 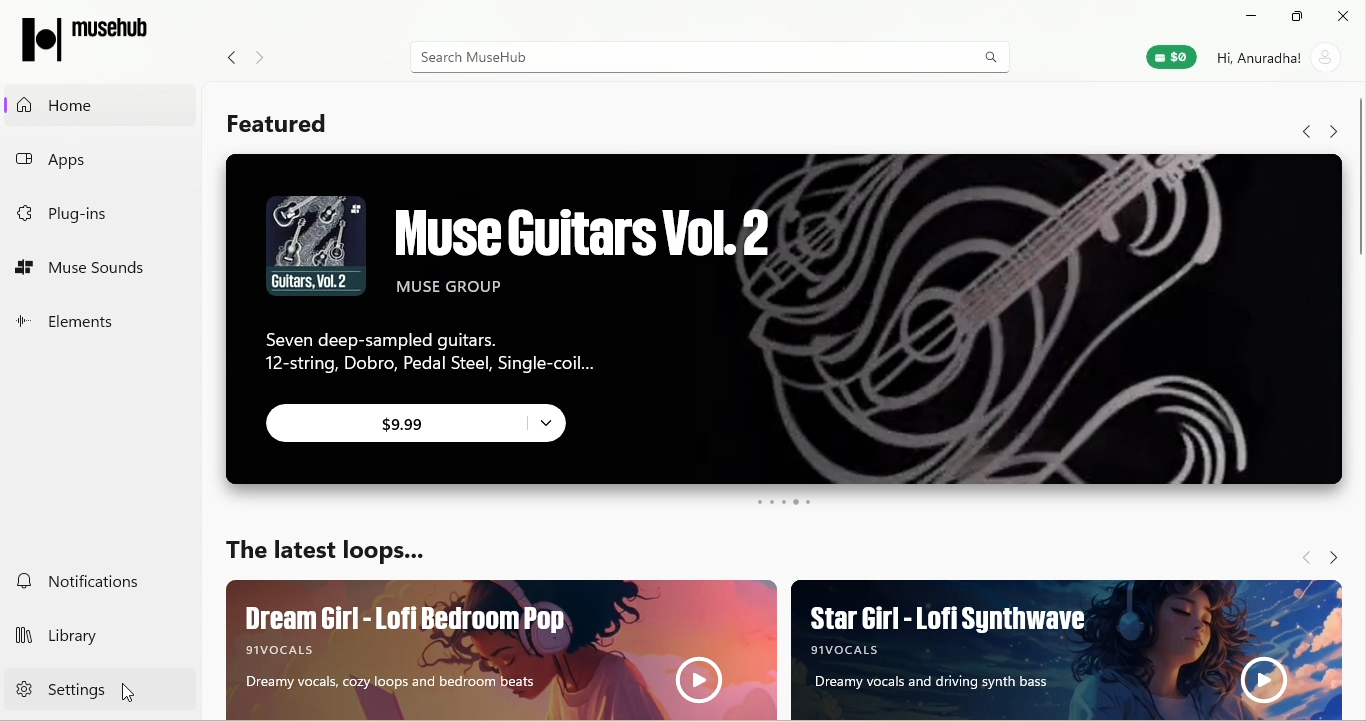 What do you see at coordinates (97, 267) in the screenshot?
I see `muse sounds` at bounding box center [97, 267].